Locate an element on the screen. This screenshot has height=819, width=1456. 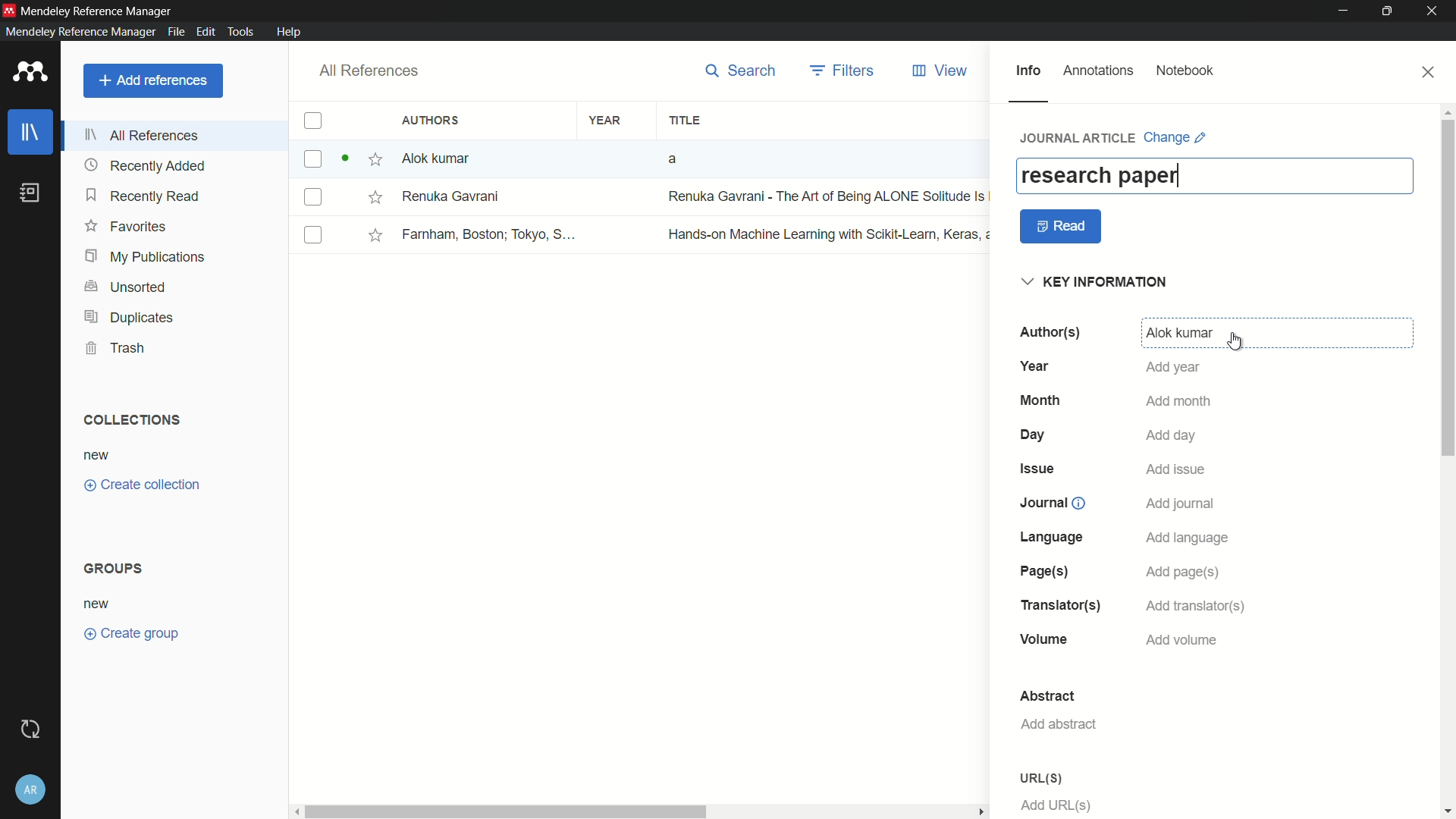
help menu is located at coordinates (288, 32).